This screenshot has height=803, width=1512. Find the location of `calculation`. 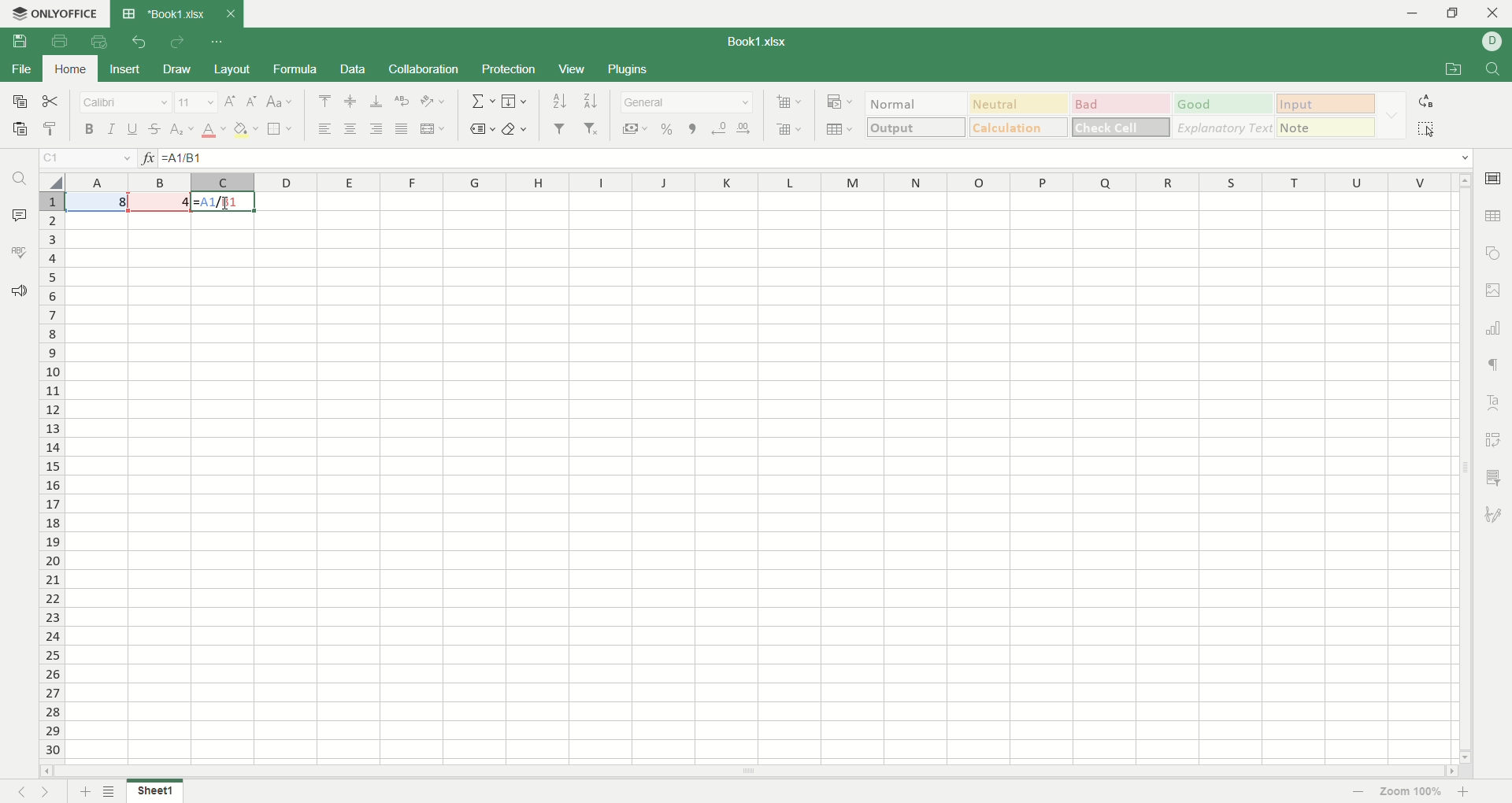

calculation is located at coordinates (1017, 127).